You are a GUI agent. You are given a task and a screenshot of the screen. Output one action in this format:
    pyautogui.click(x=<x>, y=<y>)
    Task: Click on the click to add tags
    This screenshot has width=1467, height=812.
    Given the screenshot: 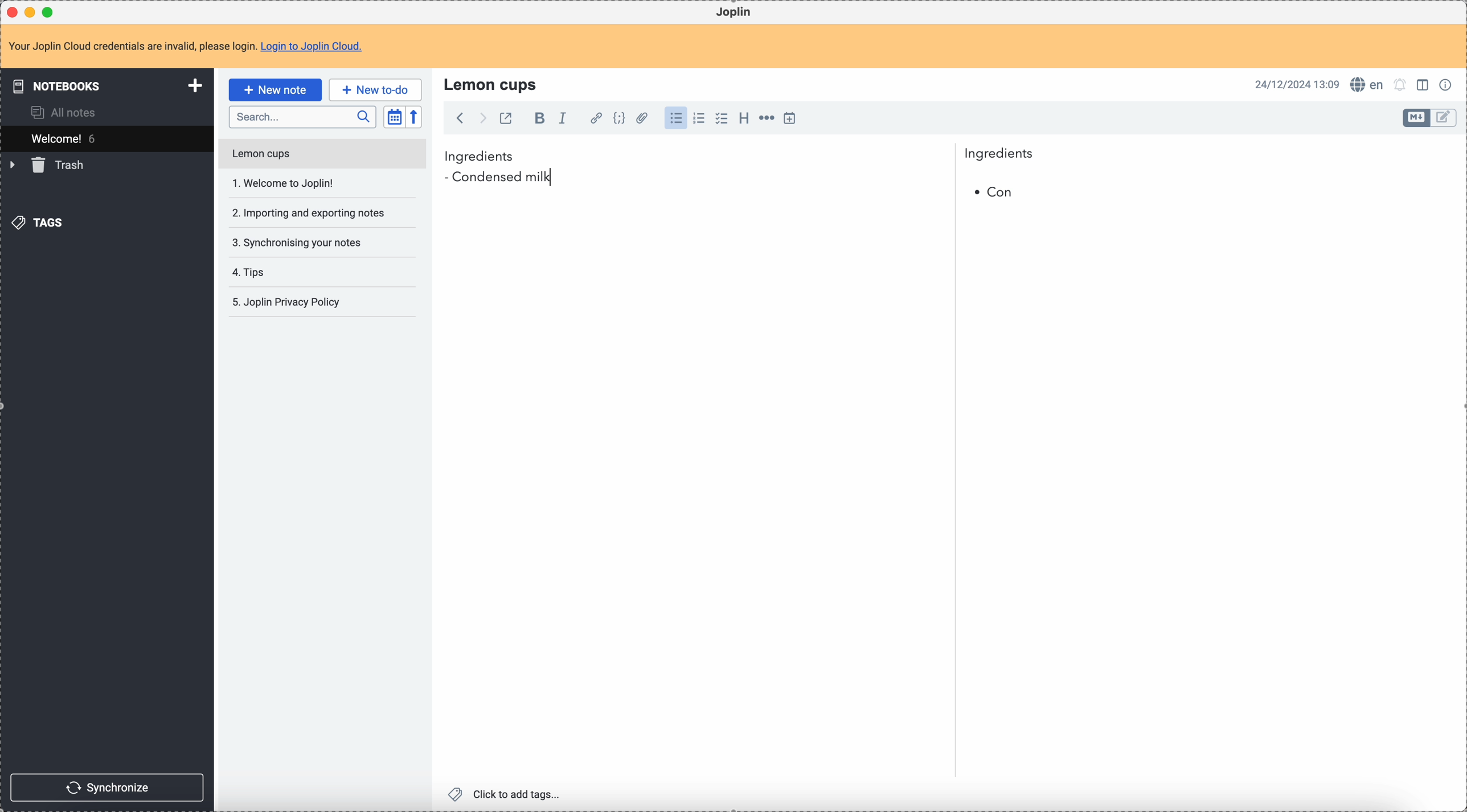 What is the action you would take?
    pyautogui.click(x=507, y=793)
    